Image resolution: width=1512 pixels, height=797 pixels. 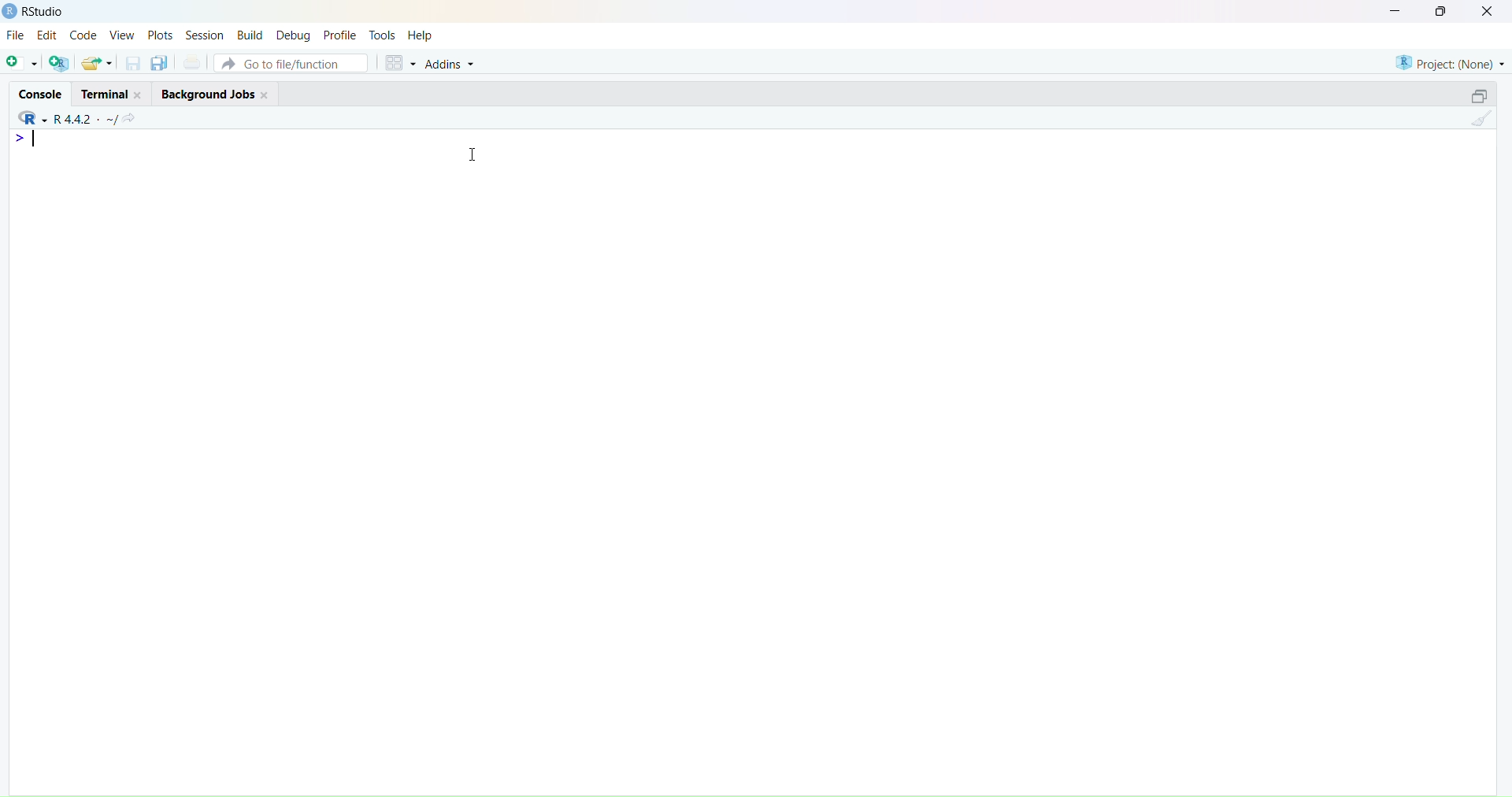 I want to click on help, so click(x=420, y=36).